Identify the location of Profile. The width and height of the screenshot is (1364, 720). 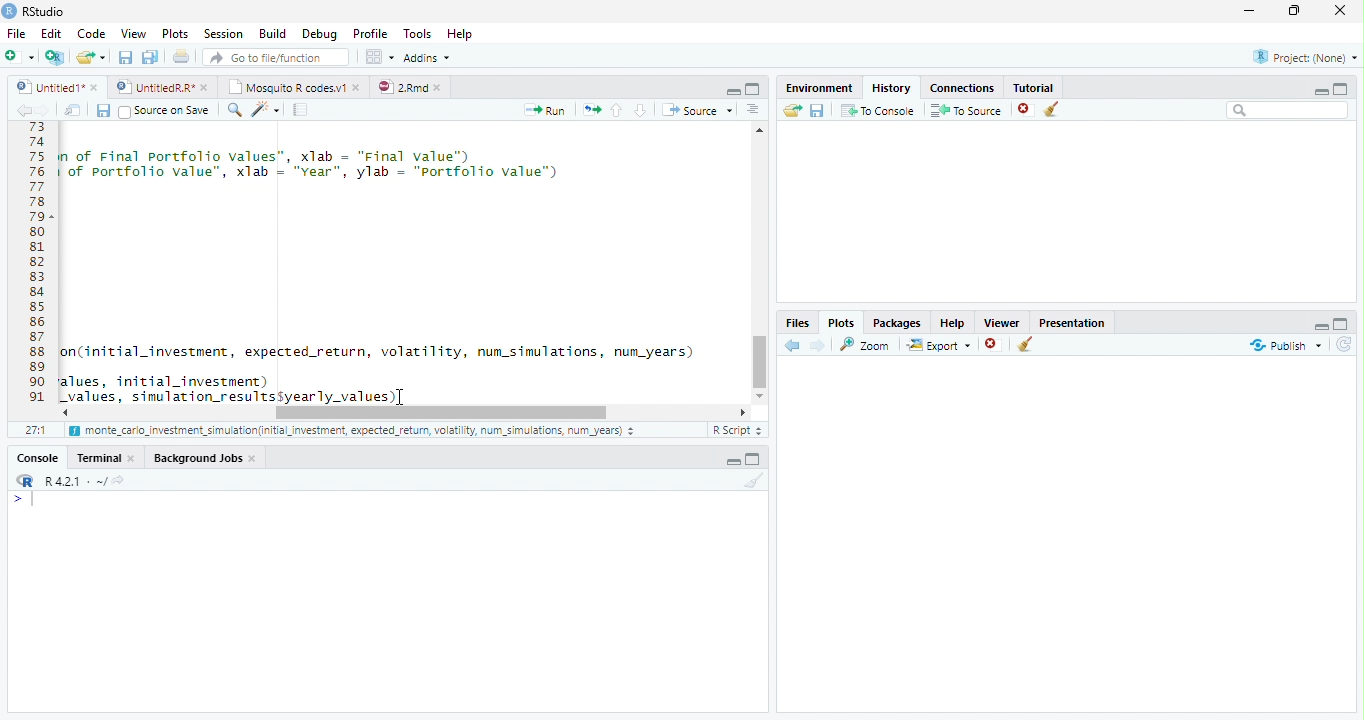
(369, 33).